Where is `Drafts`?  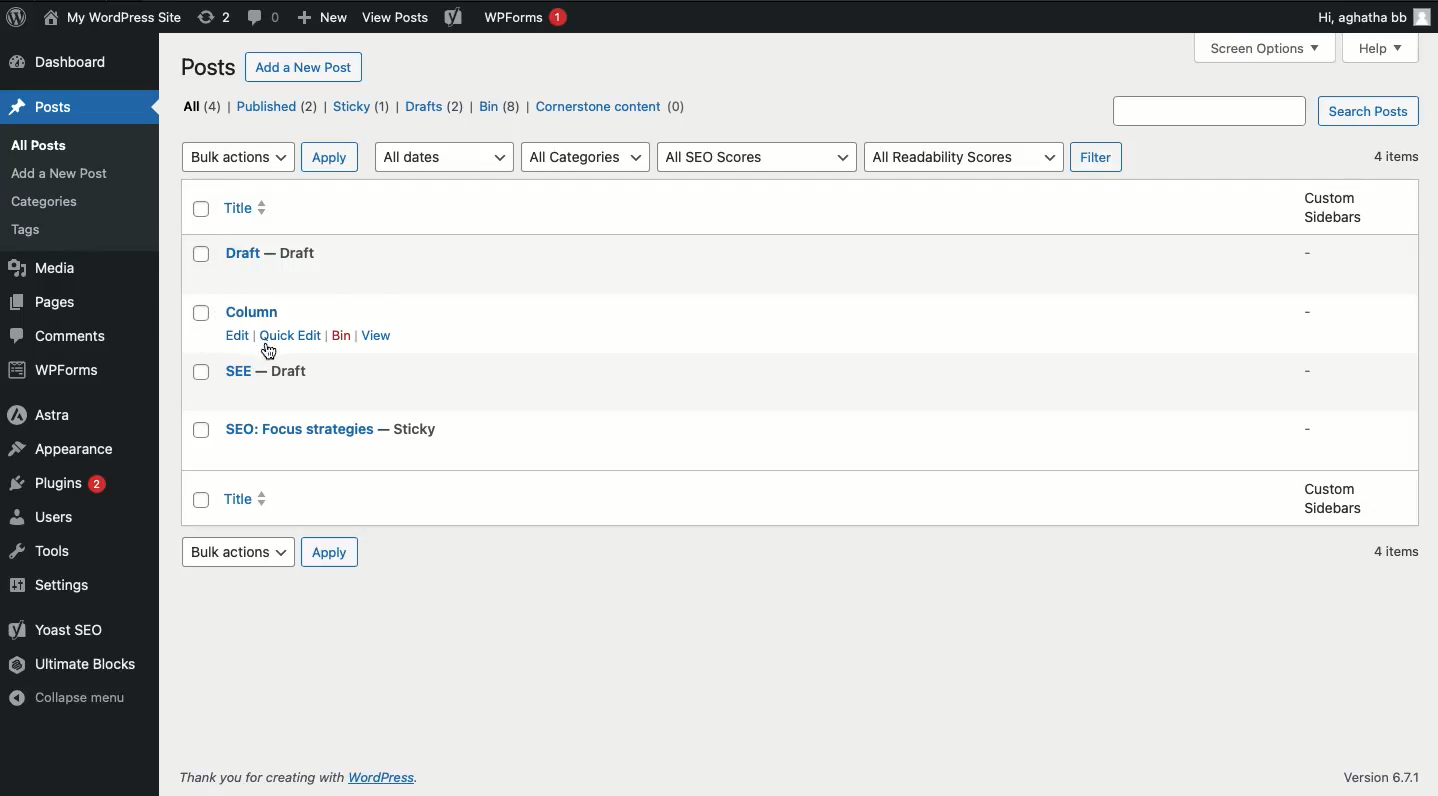 Drafts is located at coordinates (436, 108).